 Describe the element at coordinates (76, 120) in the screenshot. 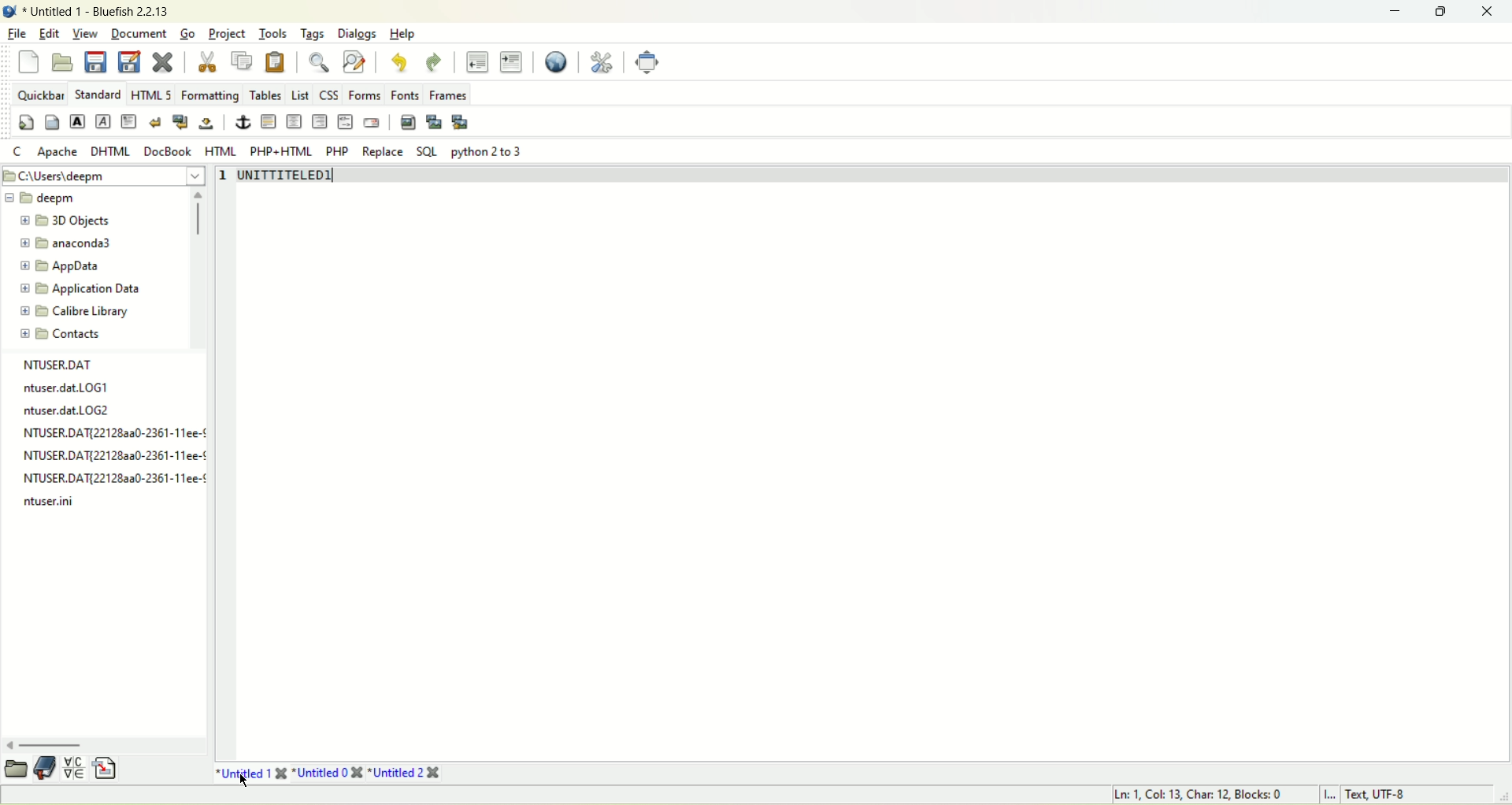

I see `Strong` at that location.